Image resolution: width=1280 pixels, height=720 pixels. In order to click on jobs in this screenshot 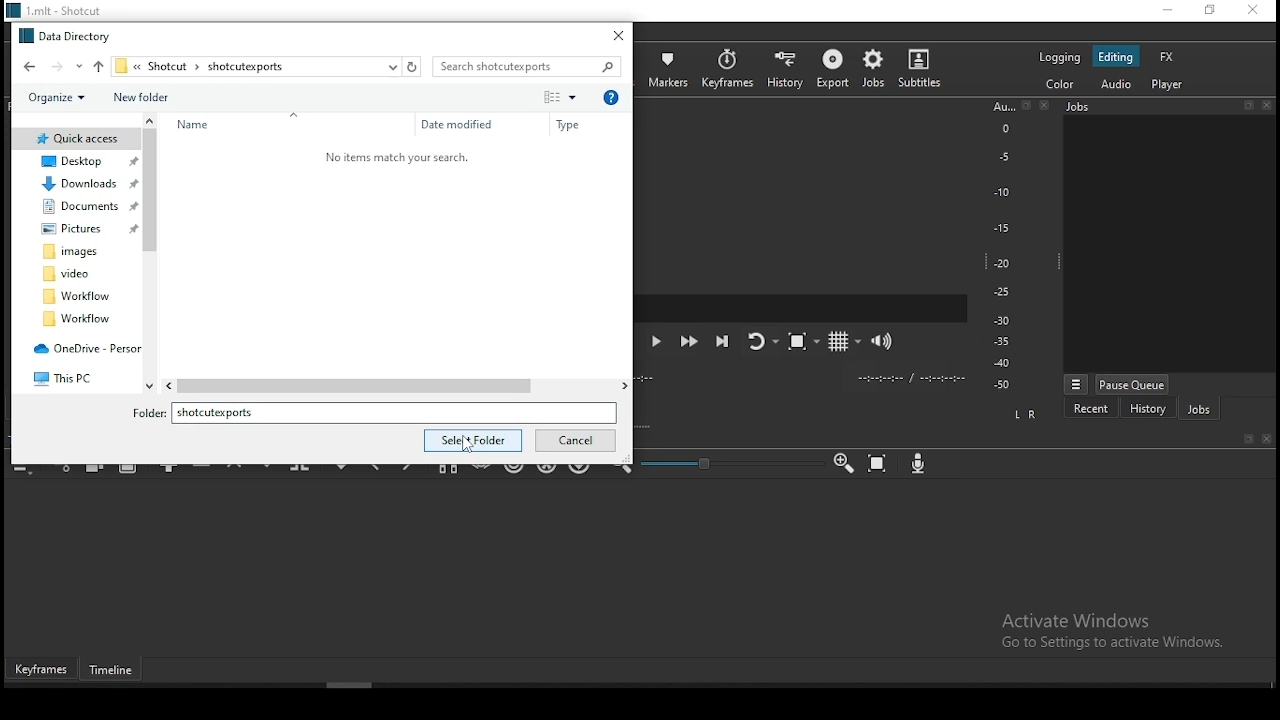, I will do `click(872, 69)`.